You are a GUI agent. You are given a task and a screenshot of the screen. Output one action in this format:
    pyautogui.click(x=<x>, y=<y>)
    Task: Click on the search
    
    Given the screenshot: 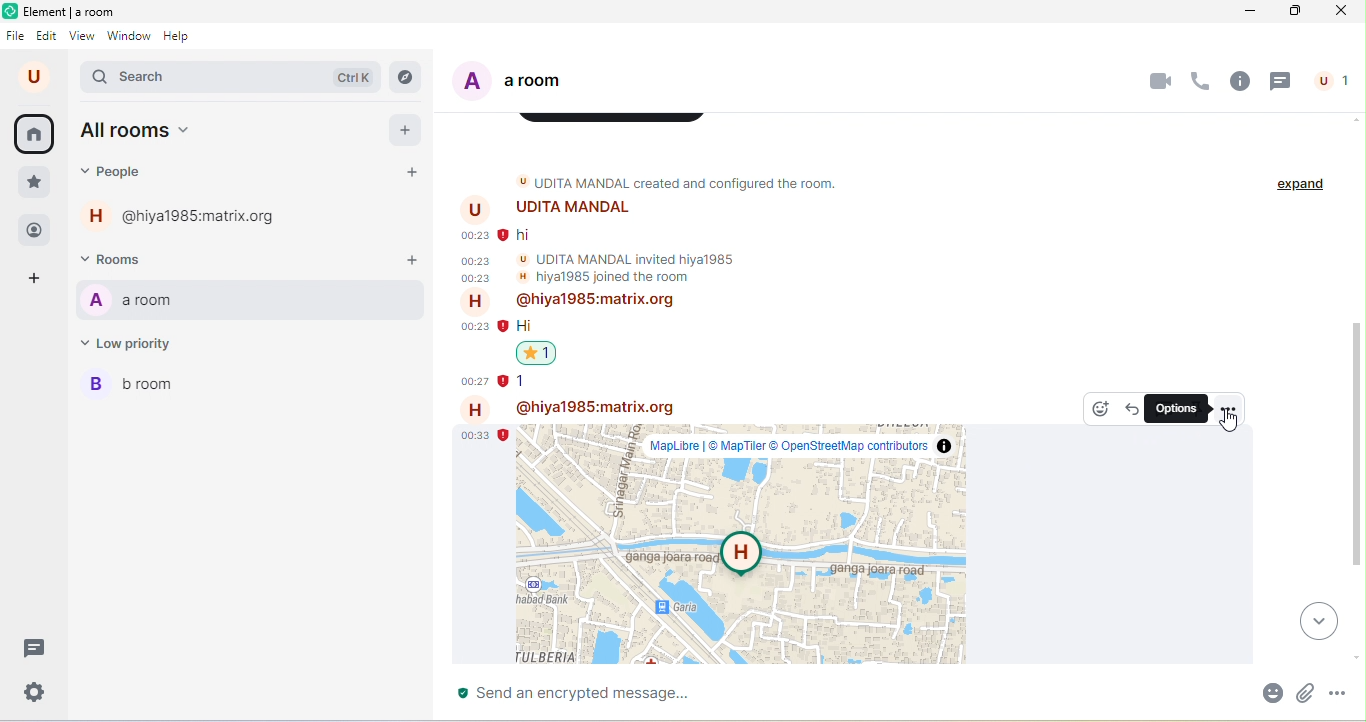 What is the action you would take?
    pyautogui.click(x=230, y=79)
    